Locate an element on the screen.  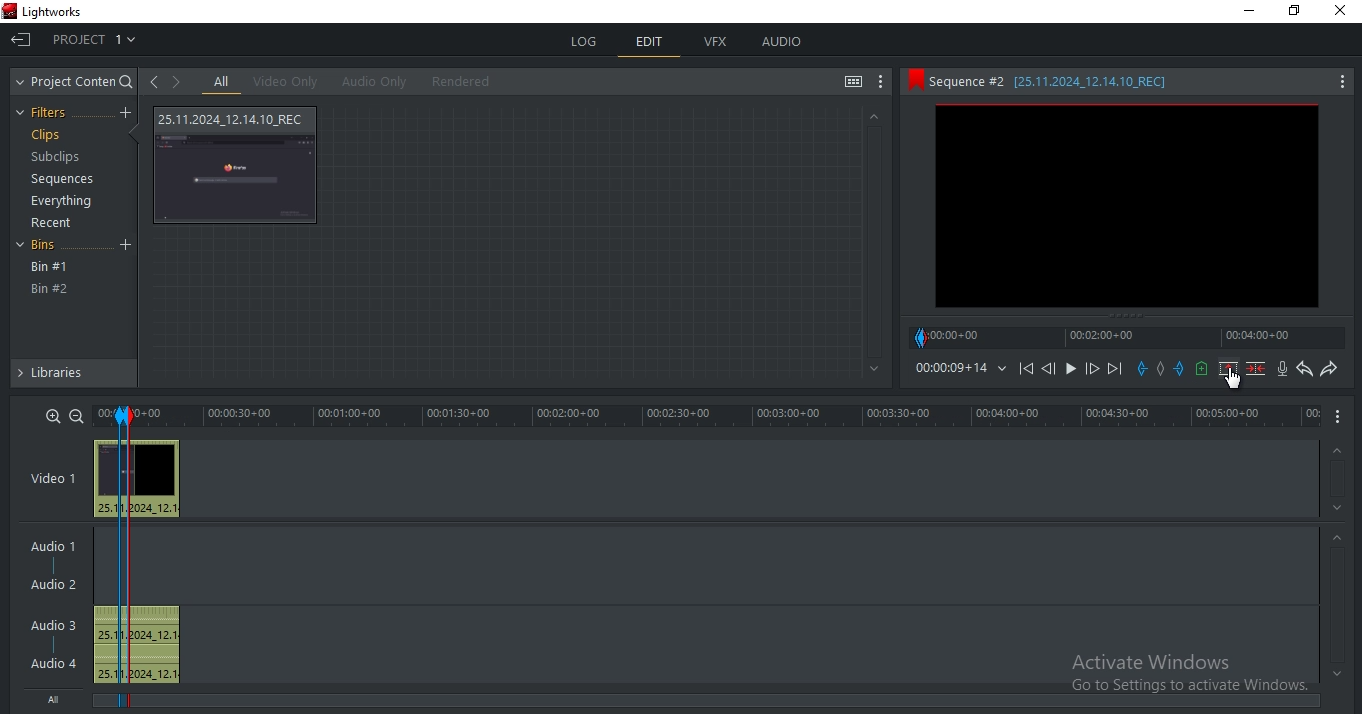
remove marked section is located at coordinates (1229, 368).